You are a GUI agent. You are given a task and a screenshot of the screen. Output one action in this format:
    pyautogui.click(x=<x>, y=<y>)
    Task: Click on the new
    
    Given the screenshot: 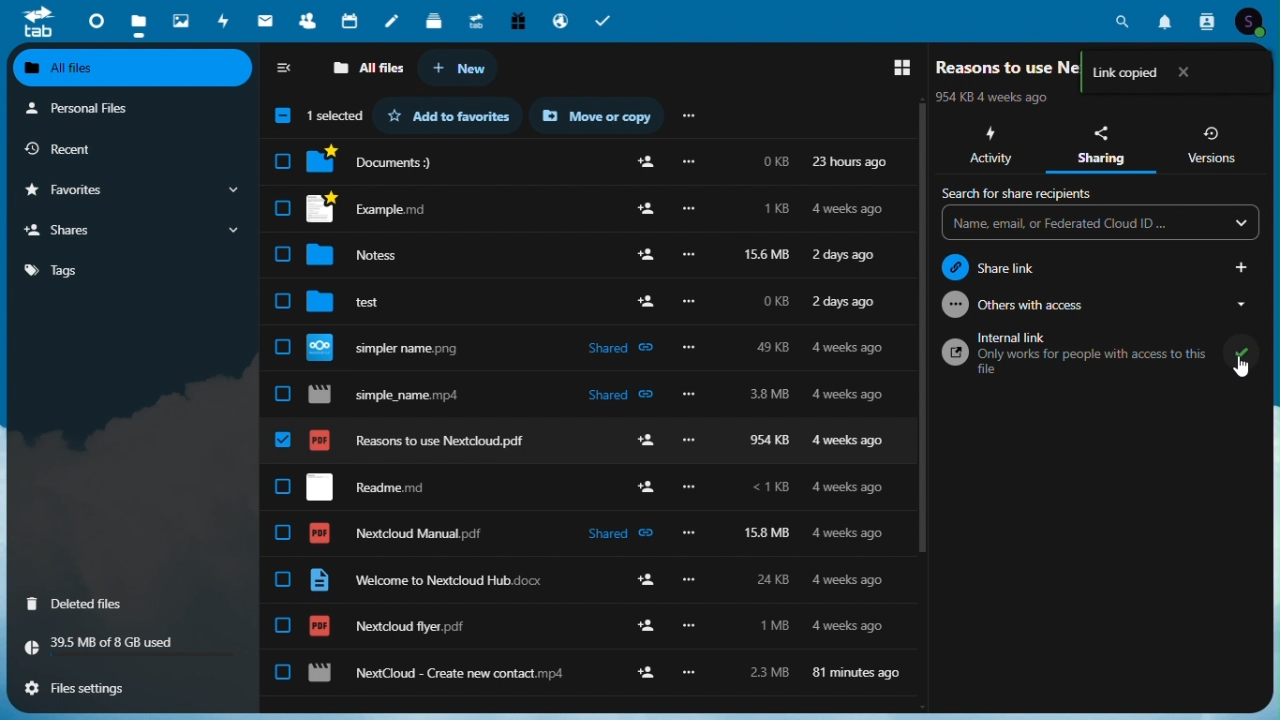 What is the action you would take?
    pyautogui.click(x=466, y=68)
    